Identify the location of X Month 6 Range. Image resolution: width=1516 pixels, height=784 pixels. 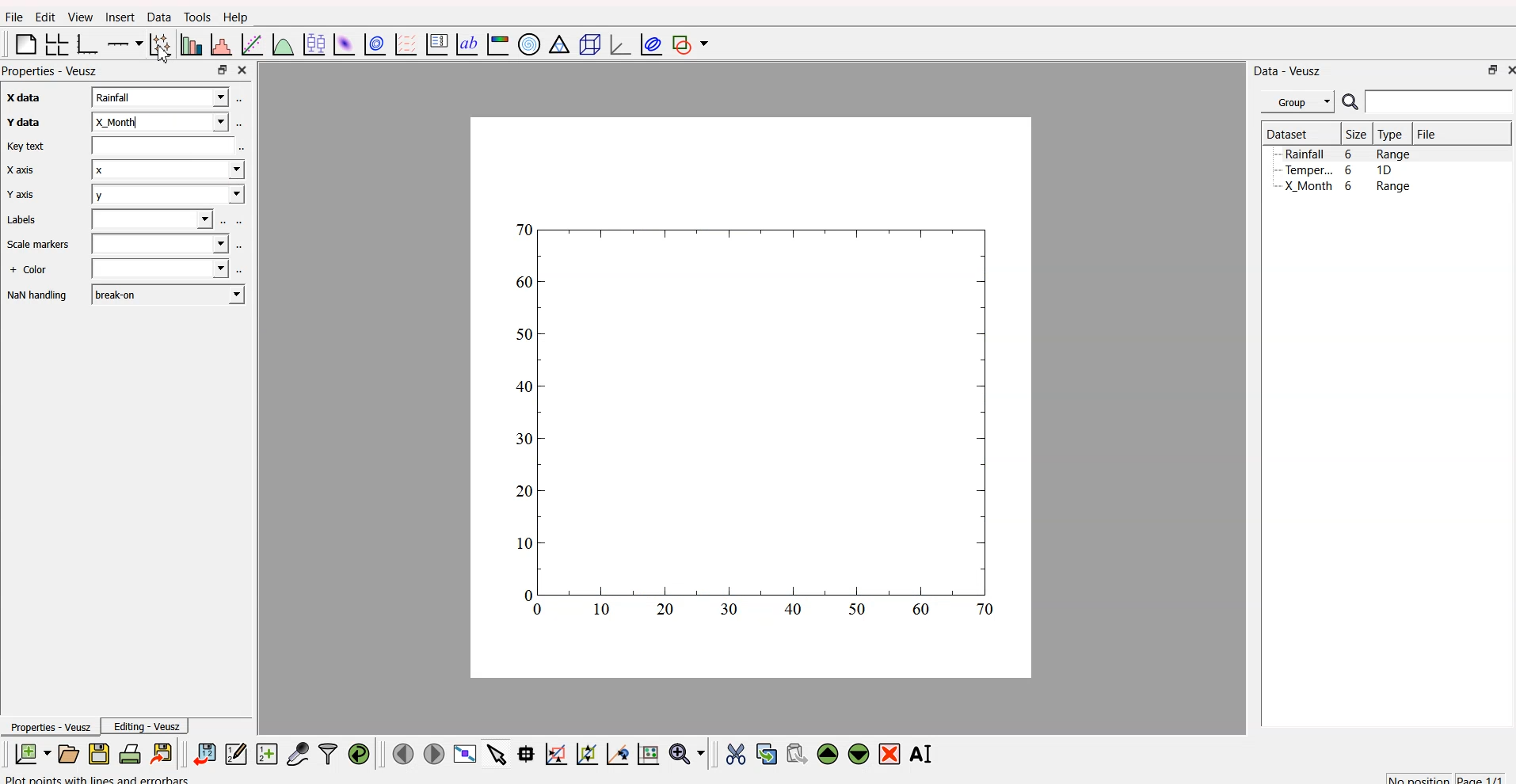
(1347, 186).